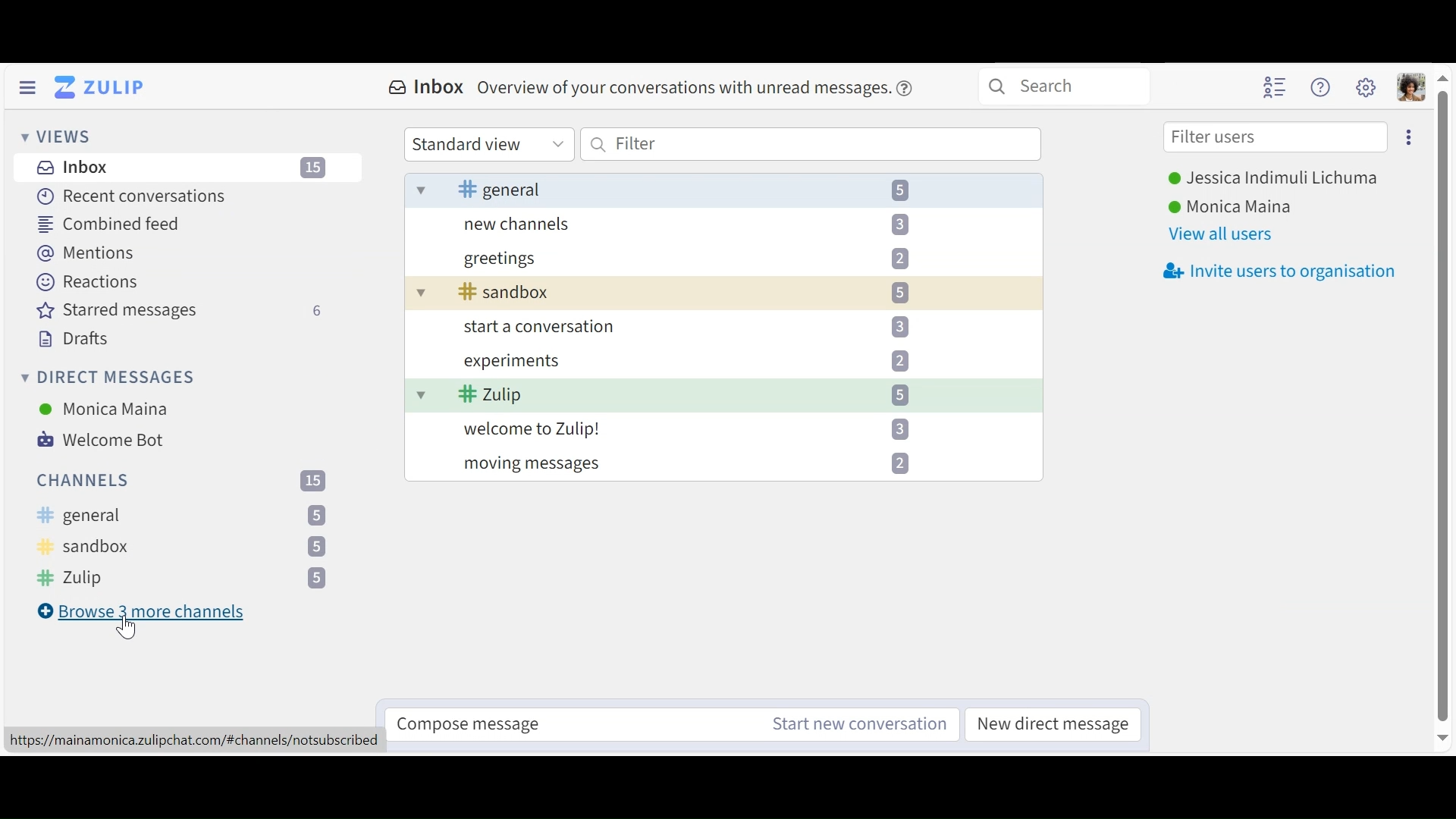 The width and height of the screenshot is (1456, 819). Describe the element at coordinates (108, 441) in the screenshot. I see `Welcome Bot` at that location.